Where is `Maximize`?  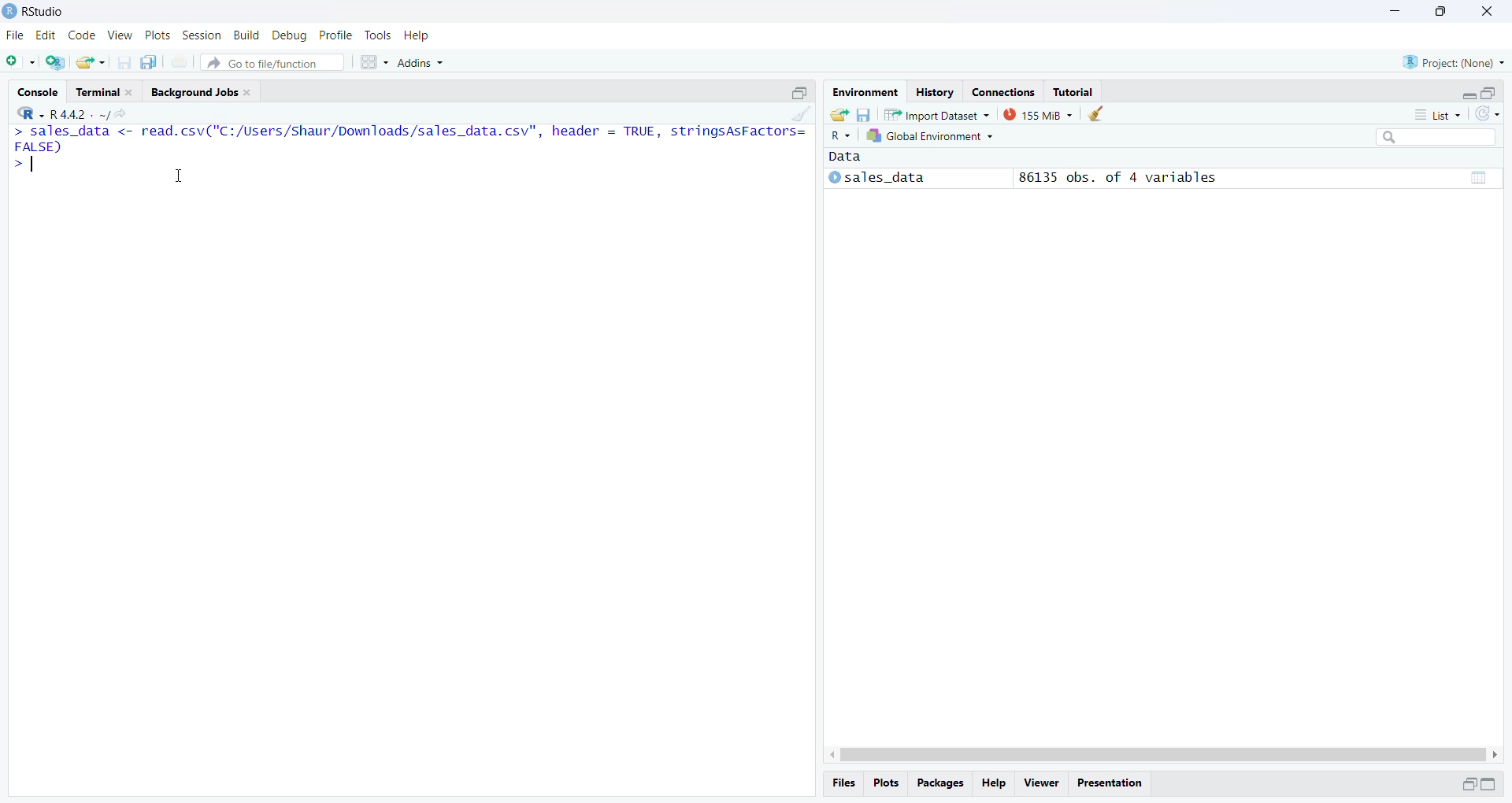 Maximize is located at coordinates (1488, 785).